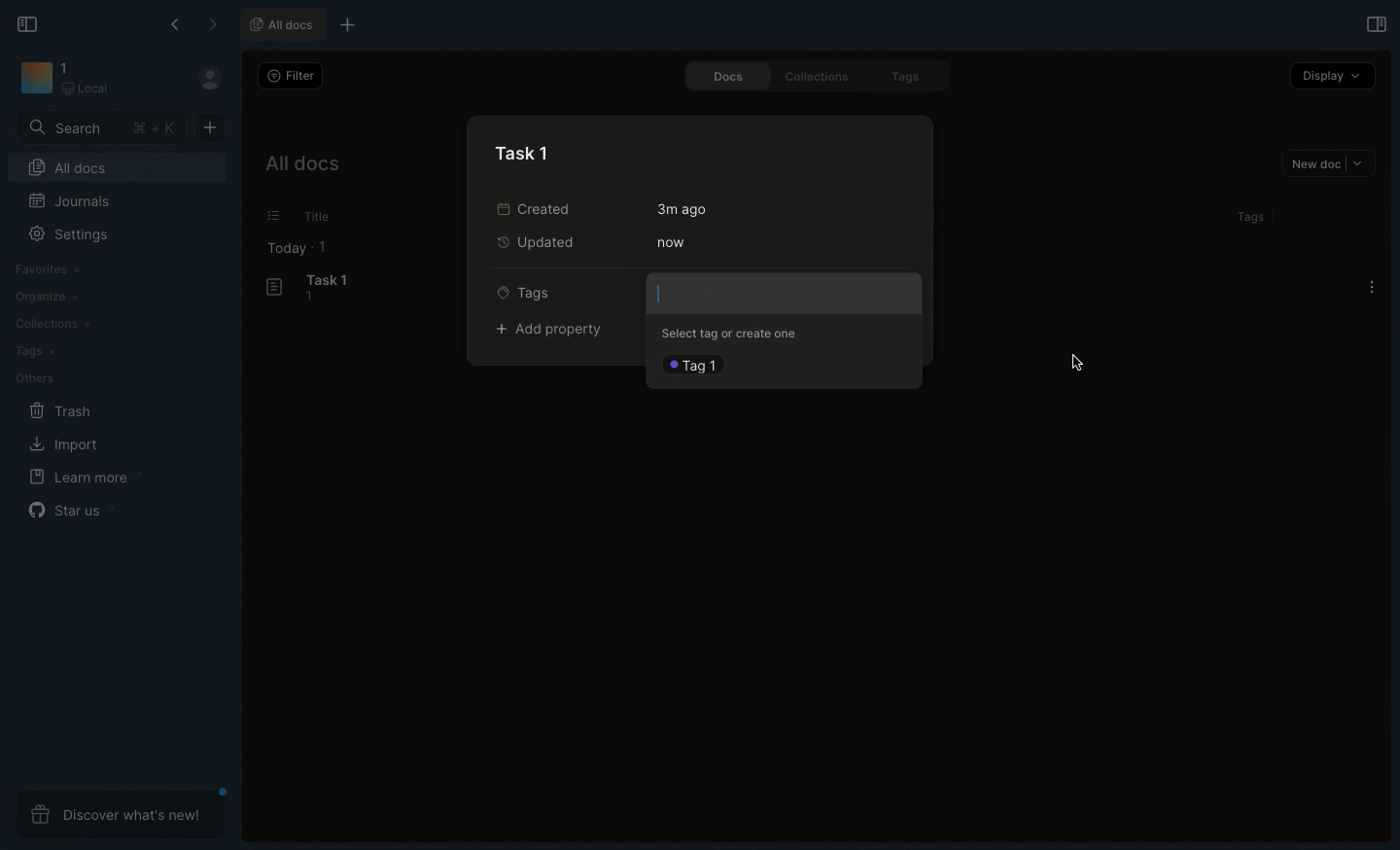  Describe the element at coordinates (525, 152) in the screenshot. I see `Task 1` at that location.